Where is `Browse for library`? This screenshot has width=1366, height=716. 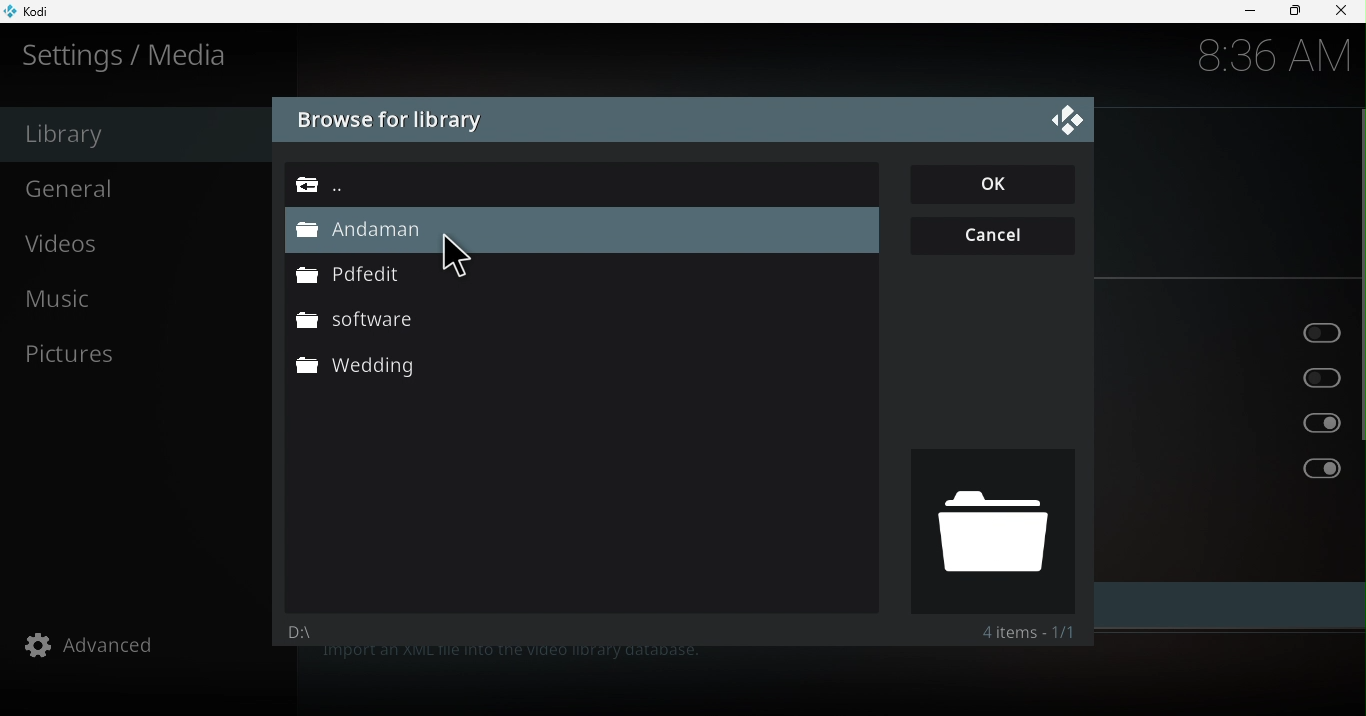
Browse for library is located at coordinates (389, 121).